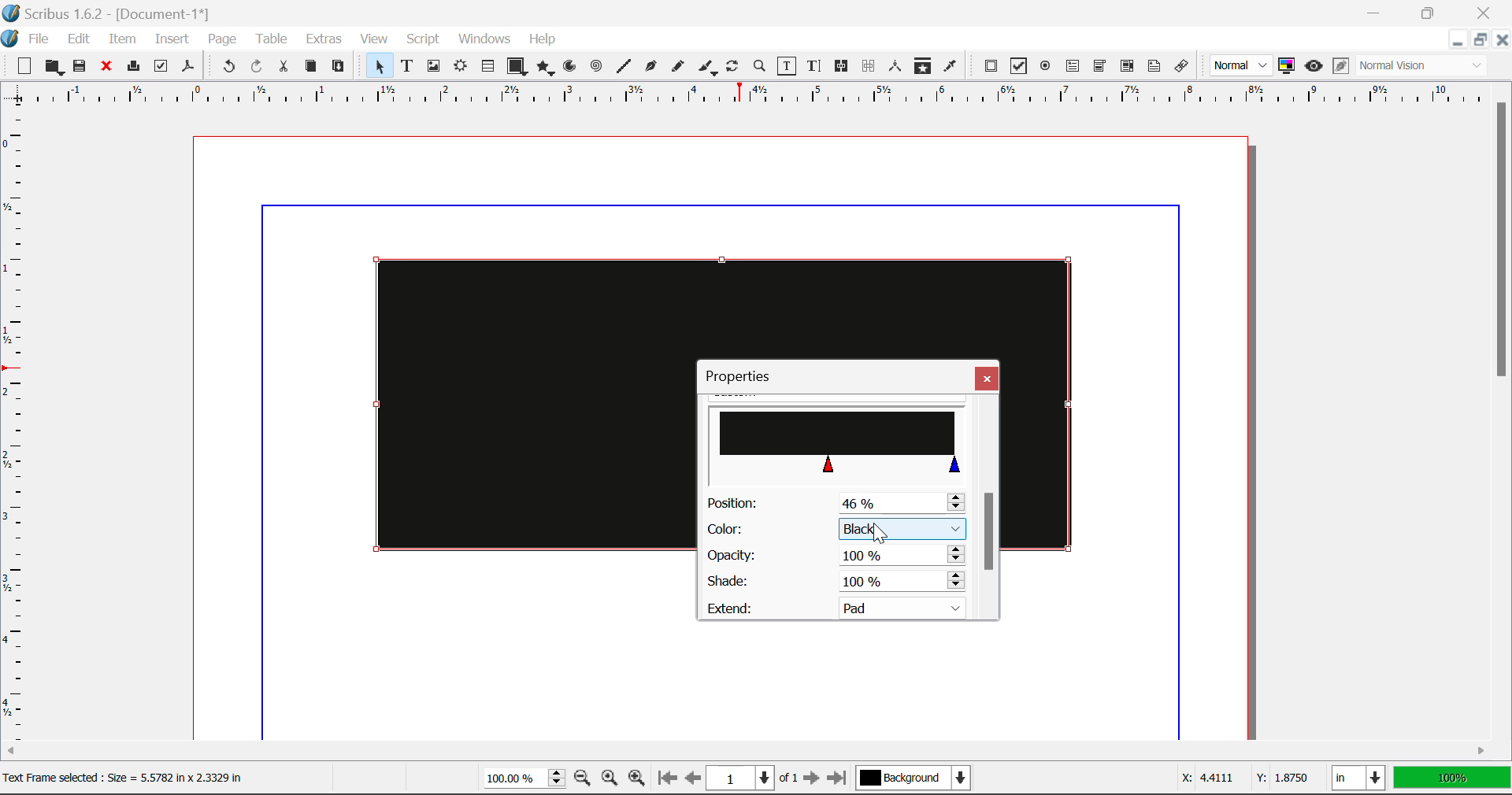  What do you see at coordinates (747, 376) in the screenshot?
I see `Properties` at bounding box center [747, 376].